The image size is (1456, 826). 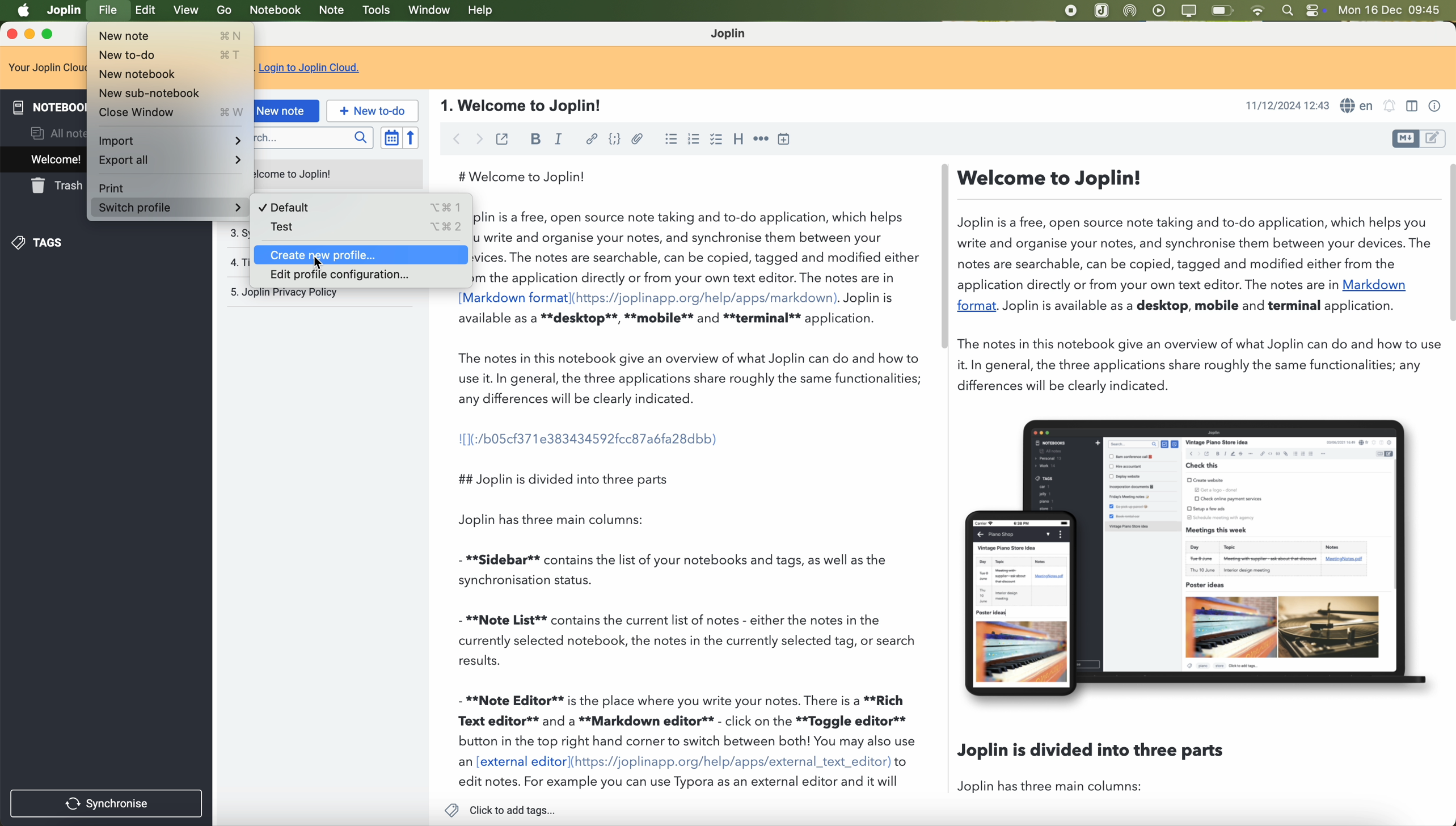 What do you see at coordinates (568, 520) in the screenshot?
I see `Joplin has three main columns:` at bounding box center [568, 520].